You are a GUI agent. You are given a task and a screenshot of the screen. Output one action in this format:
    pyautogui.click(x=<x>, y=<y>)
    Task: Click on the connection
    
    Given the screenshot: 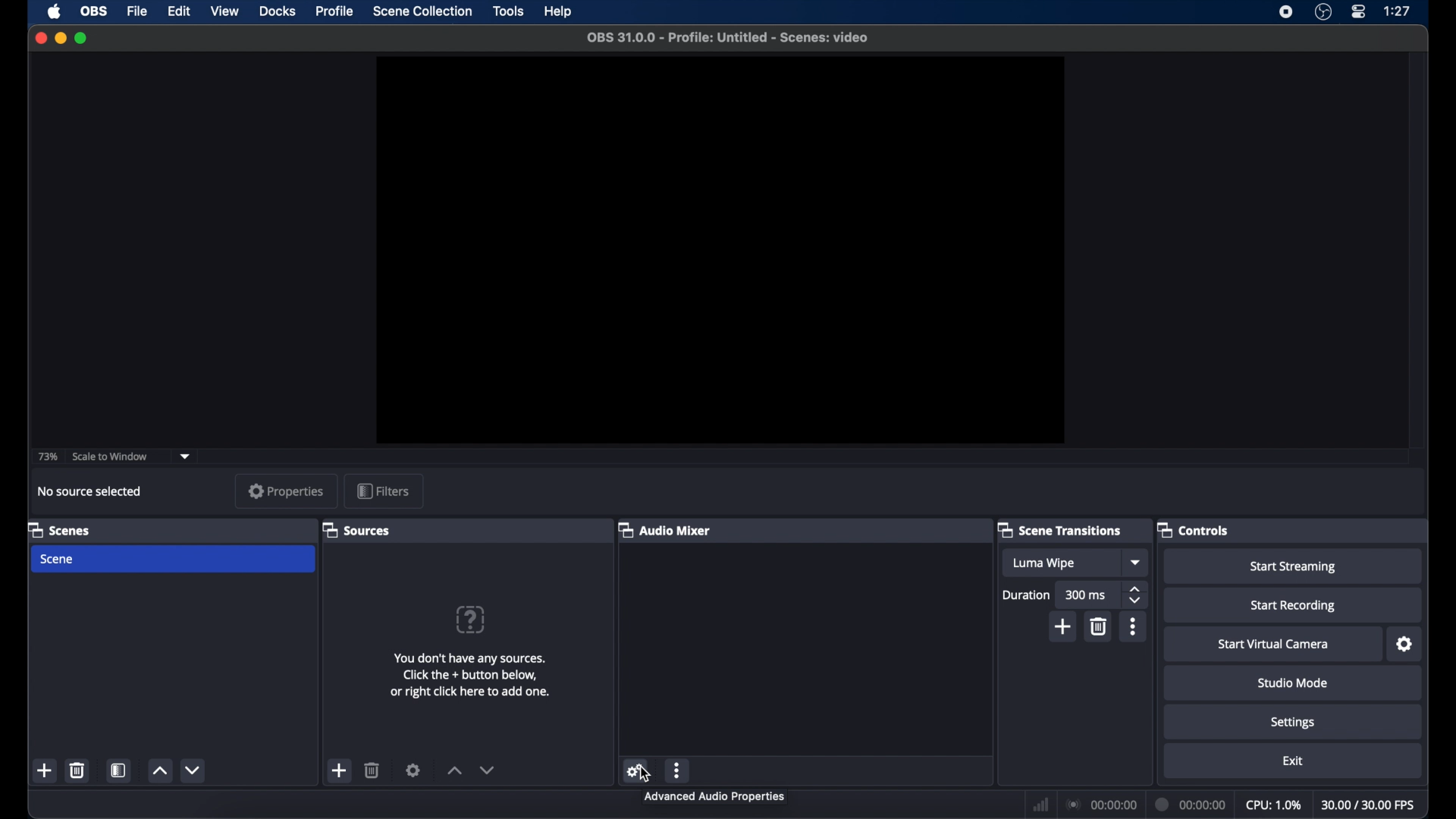 What is the action you would take?
    pyautogui.click(x=1103, y=805)
    